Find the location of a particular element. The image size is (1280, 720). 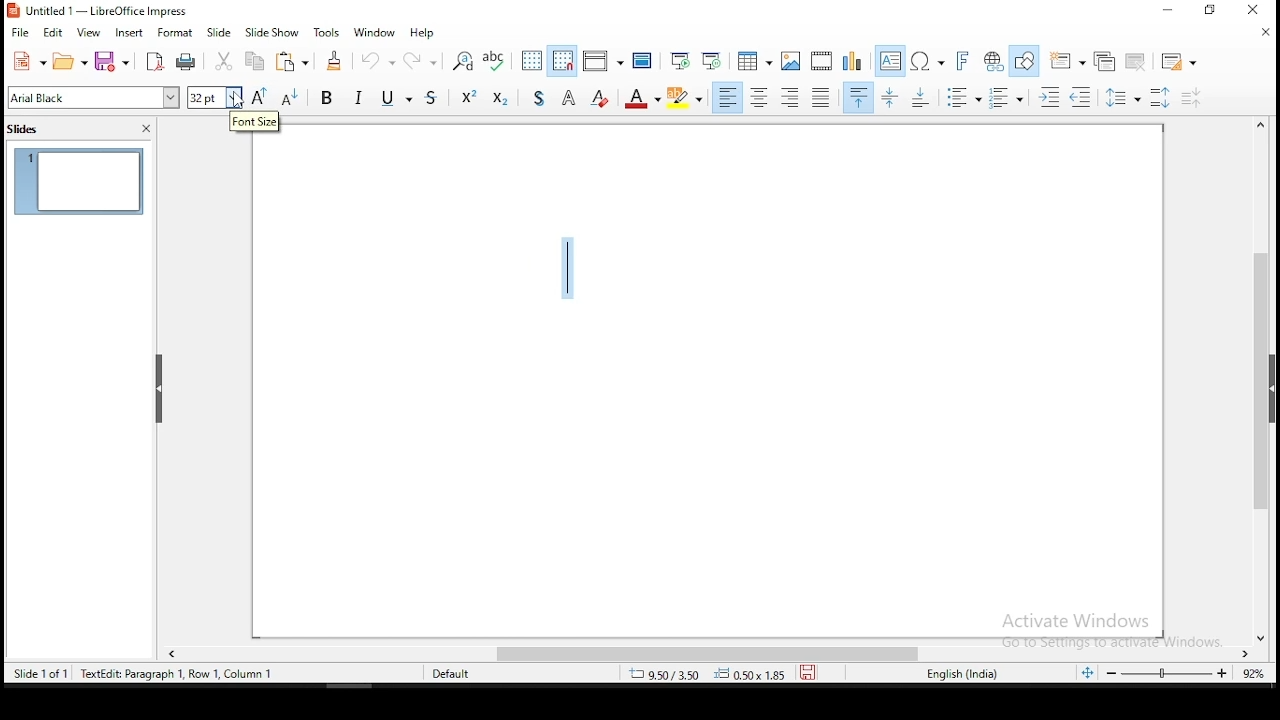

cut is located at coordinates (225, 61).